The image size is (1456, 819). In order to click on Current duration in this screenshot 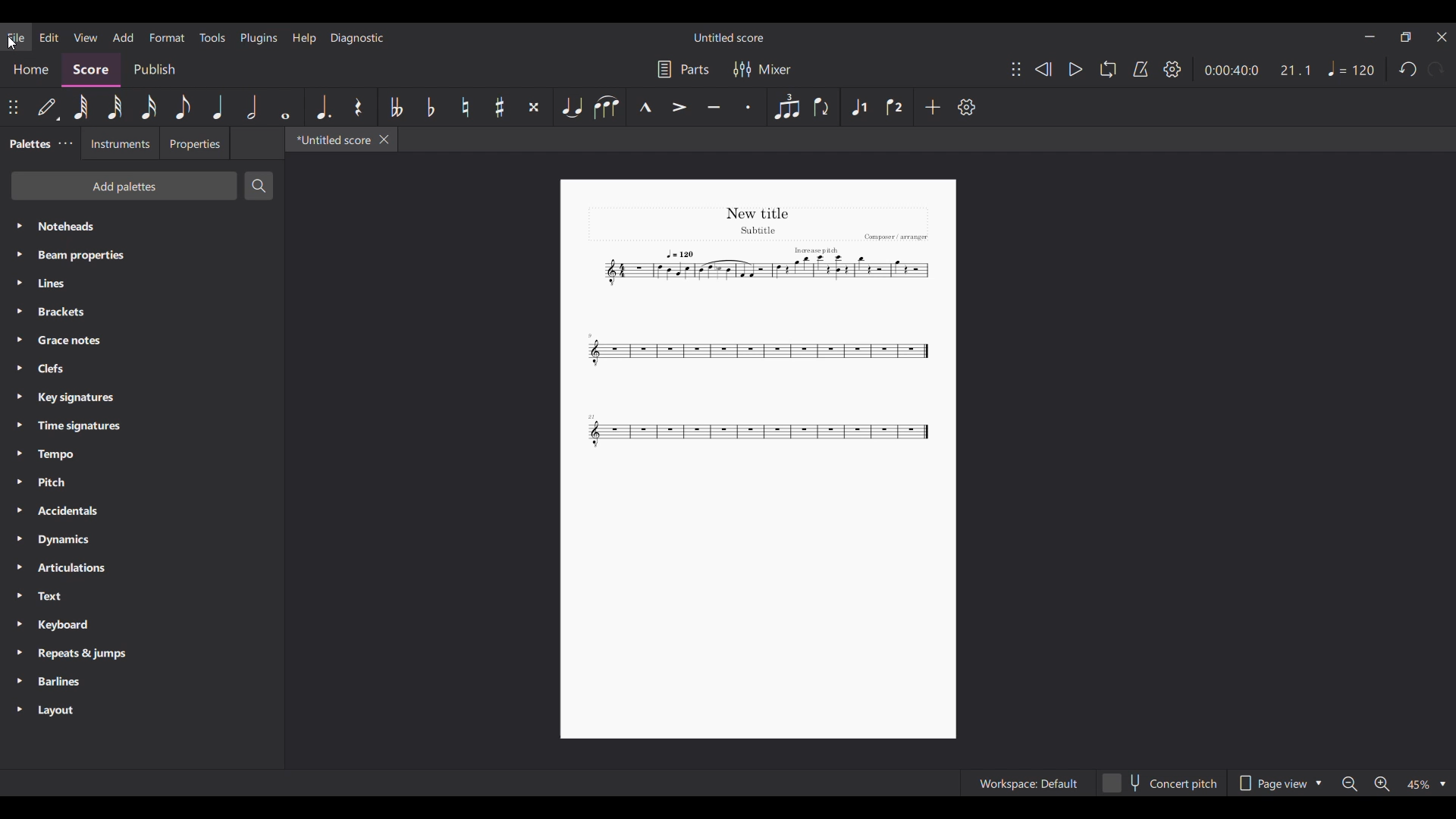, I will do `click(1232, 70)`.